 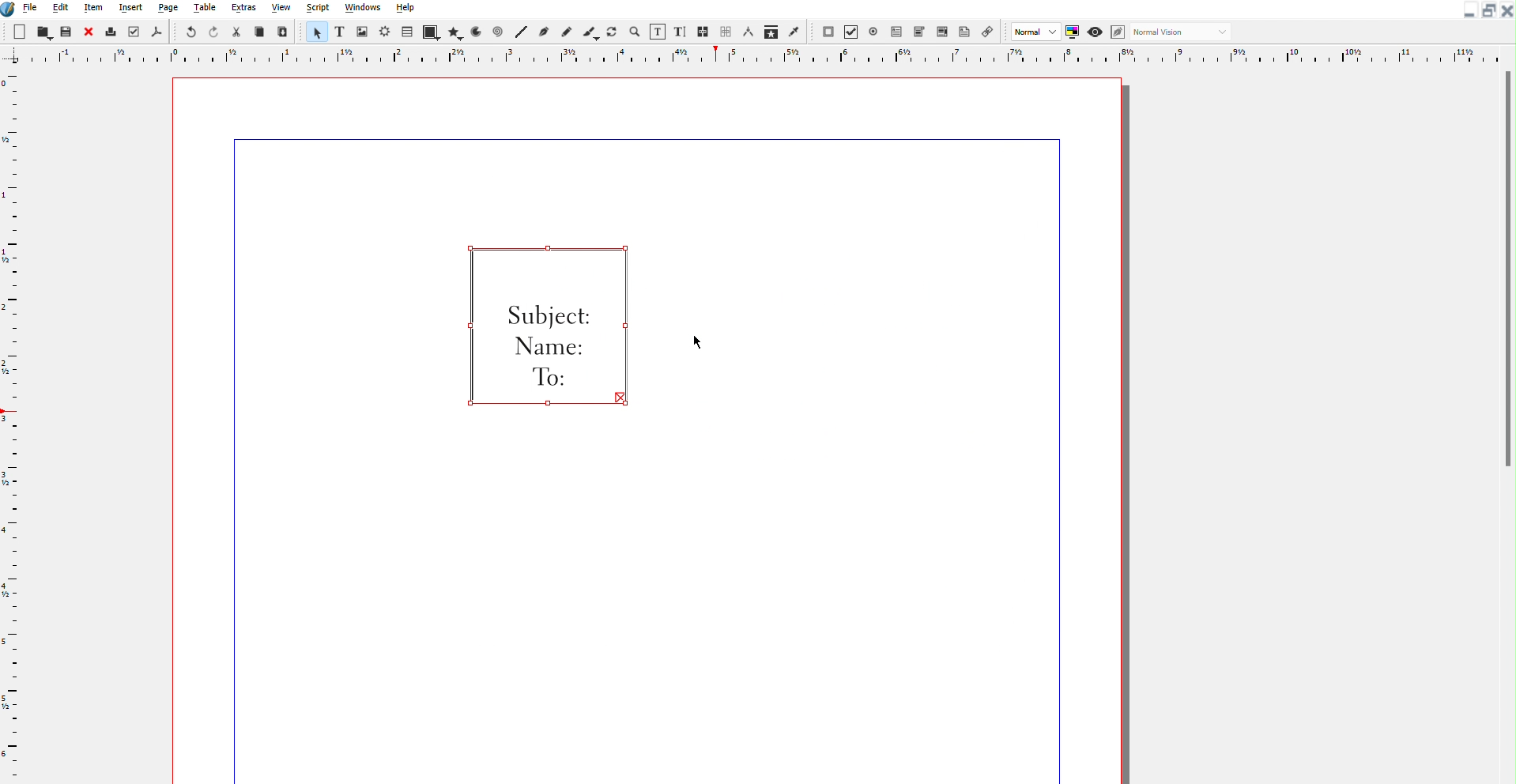 I want to click on Normal Settings, so click(x=1046, y=32).